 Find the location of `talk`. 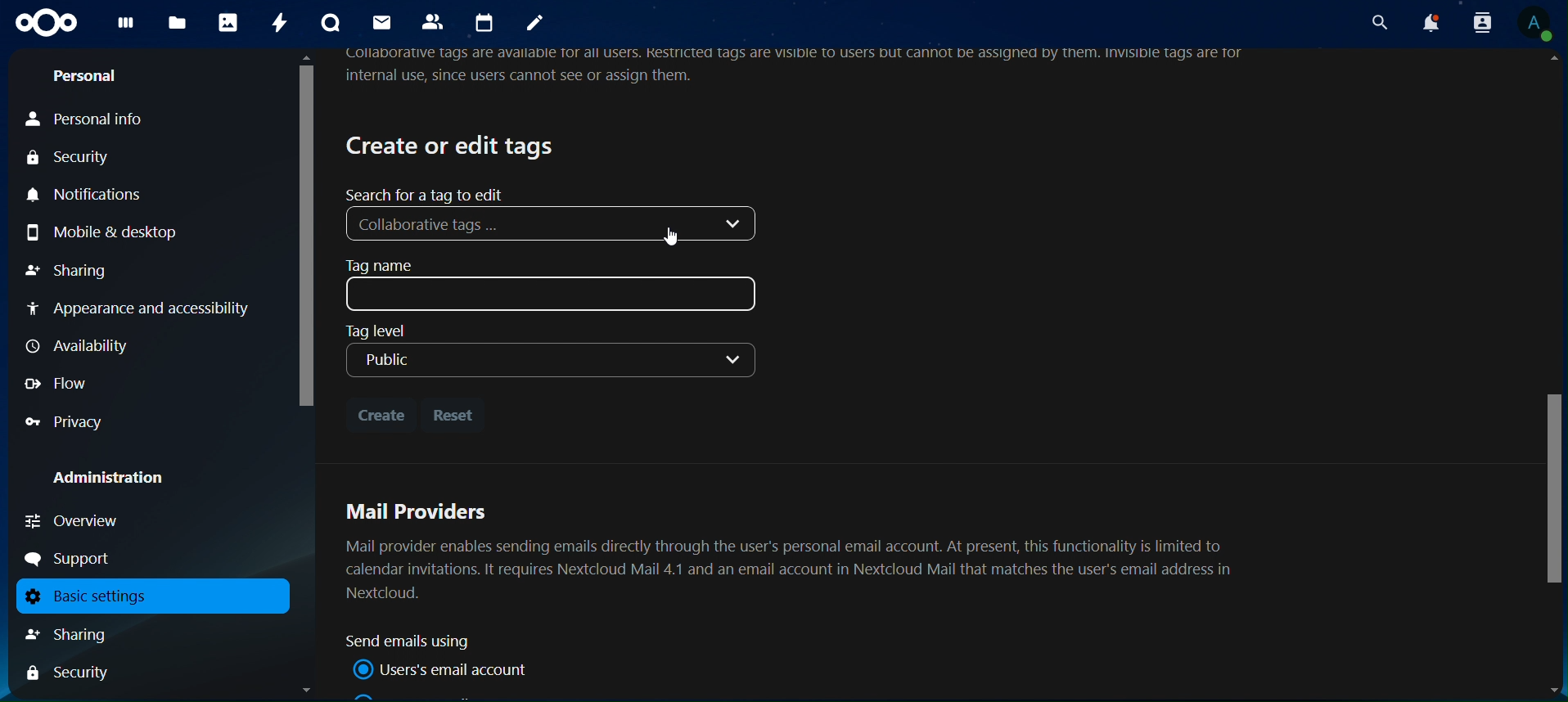

talk is located at coordinates (329, 23).